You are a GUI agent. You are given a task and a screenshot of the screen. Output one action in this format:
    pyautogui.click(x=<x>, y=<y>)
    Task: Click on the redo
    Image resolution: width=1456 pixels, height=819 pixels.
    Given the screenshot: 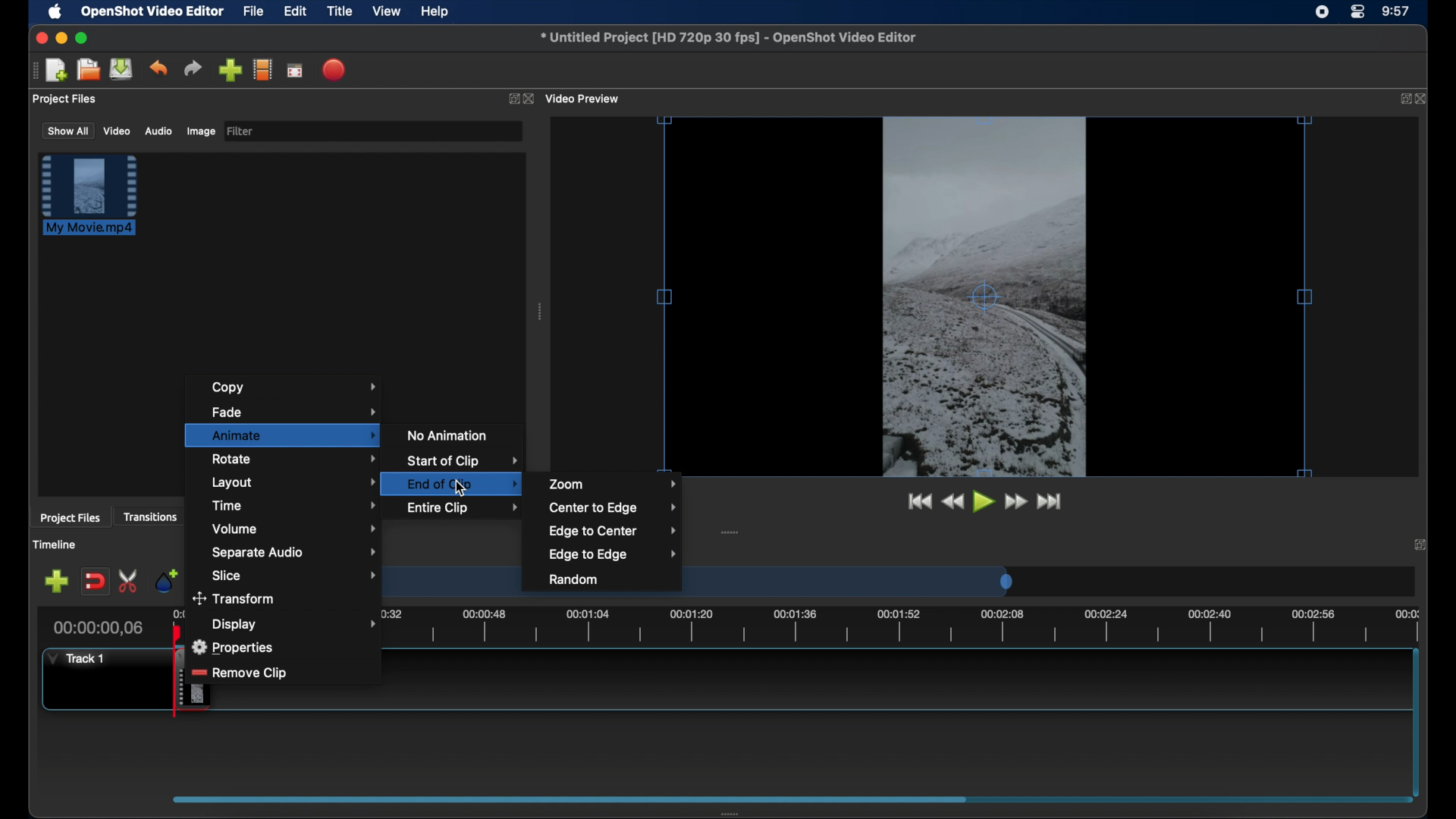 What is the action you would take?
    pyautogui.click(x=193, y=68)
    